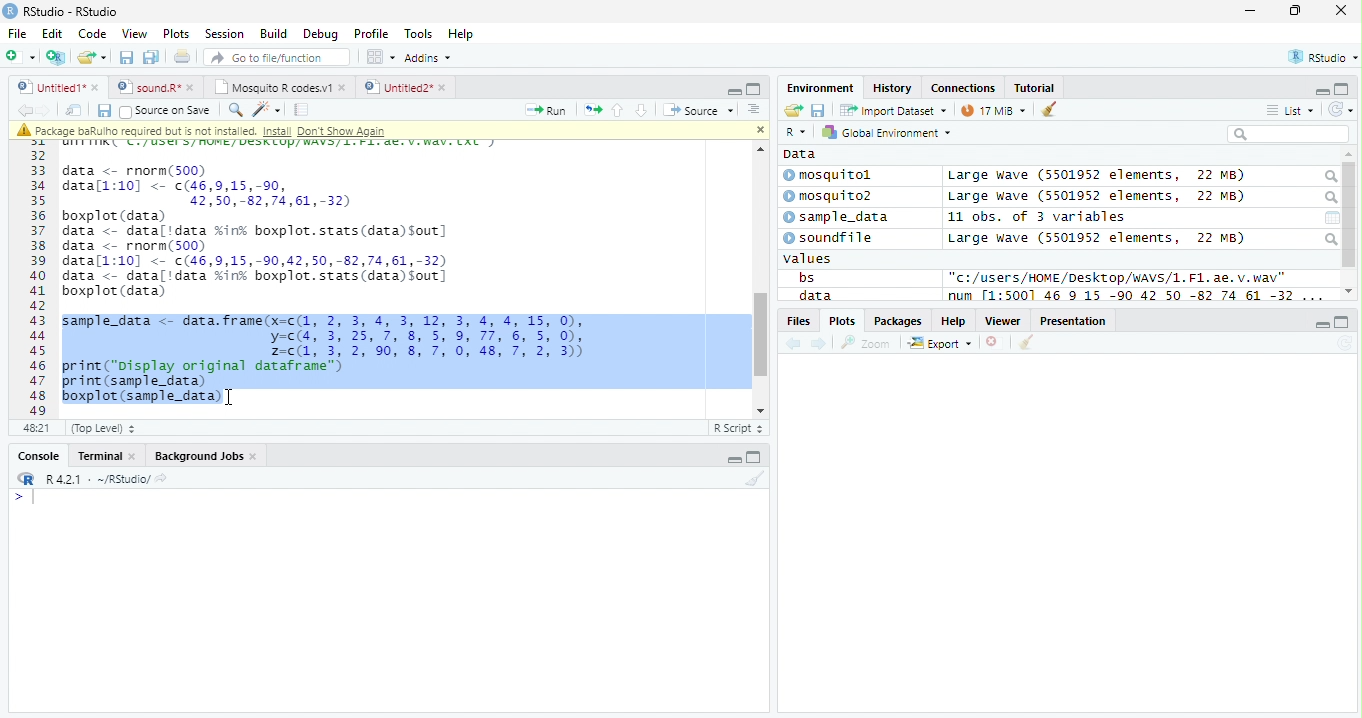  I want to click on scroll up, so click(1349, 155).